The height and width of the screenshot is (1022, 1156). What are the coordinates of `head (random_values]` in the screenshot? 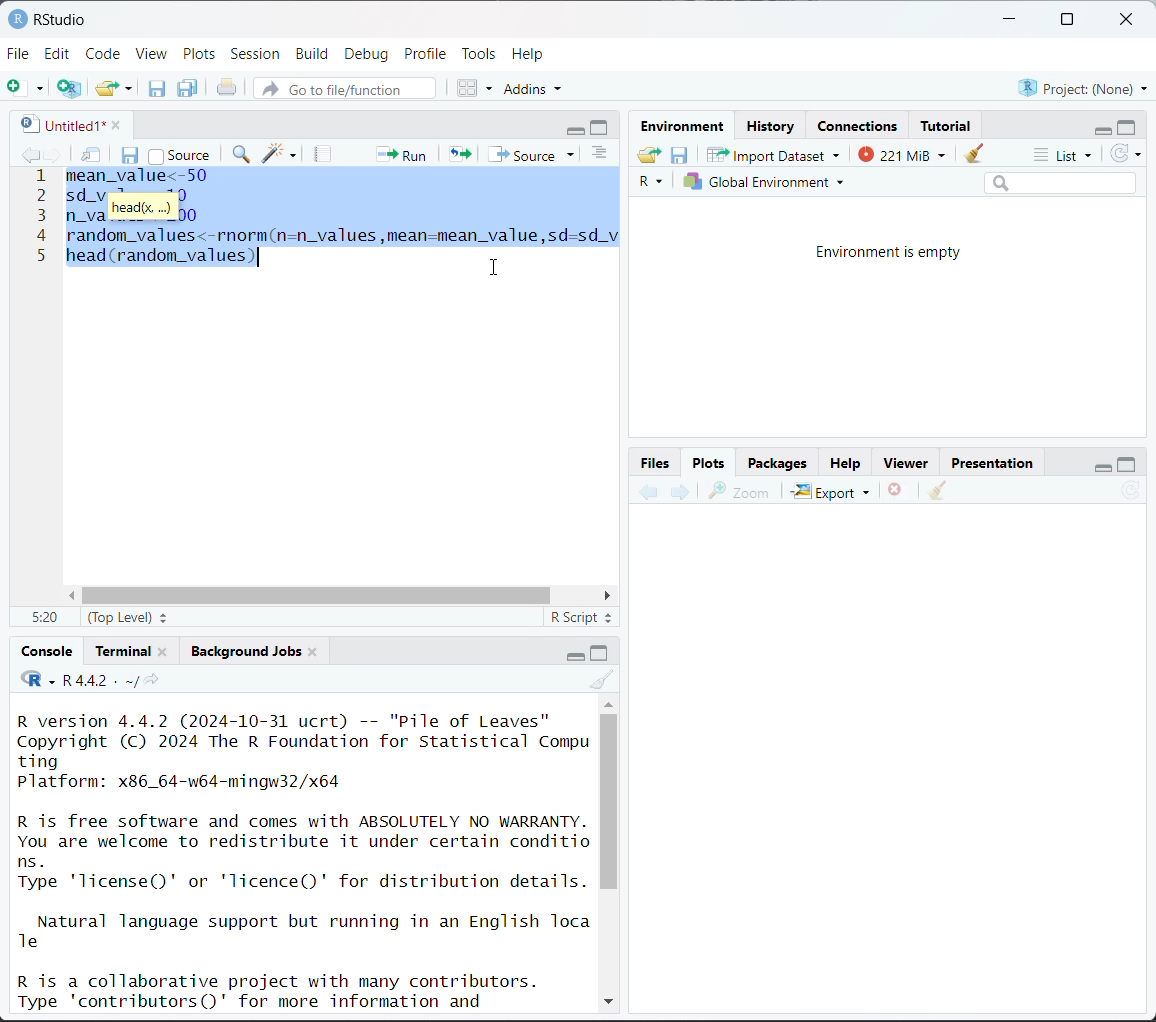 It's located at (161, 262).